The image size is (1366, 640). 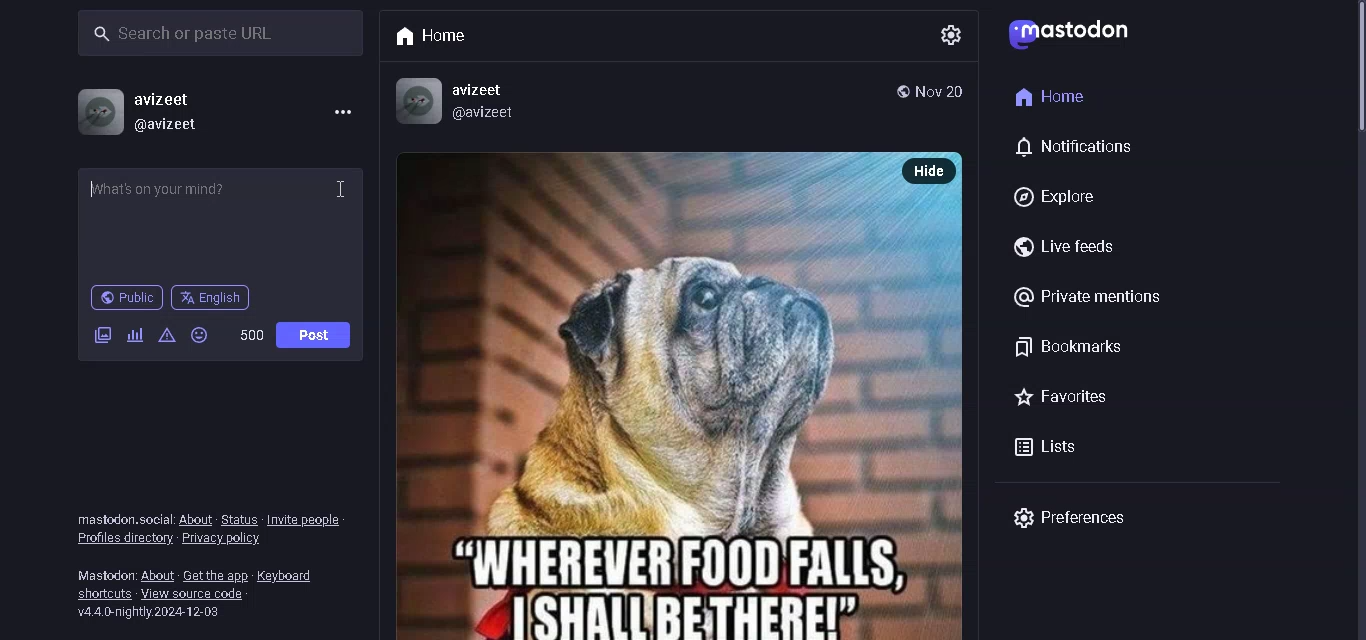 What do you see at coordinates (171, 98) in the screenshot?
I see `username` at bounding box center [171, 98].